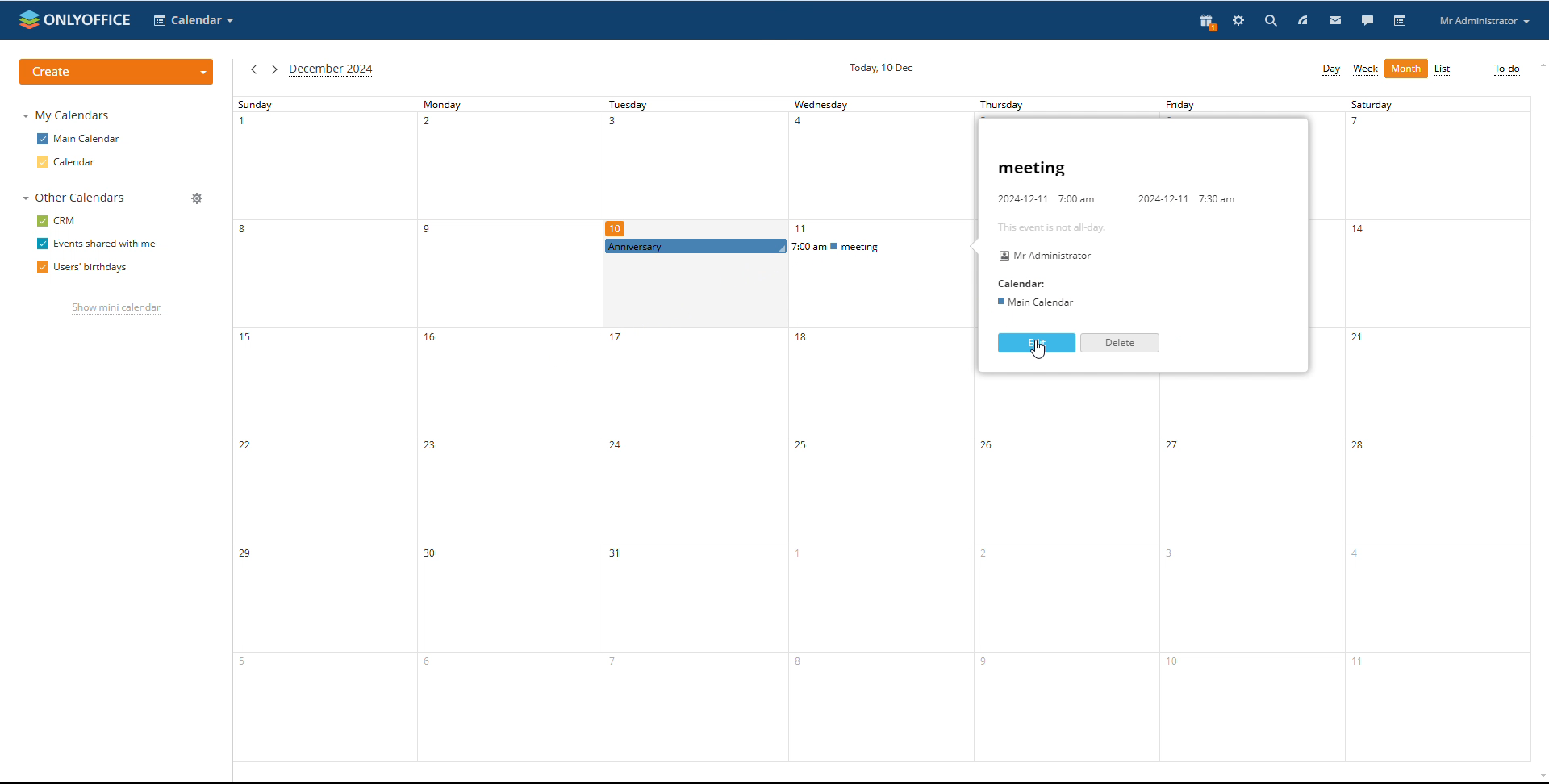  I want to click on cursor, so click(1039, 352).